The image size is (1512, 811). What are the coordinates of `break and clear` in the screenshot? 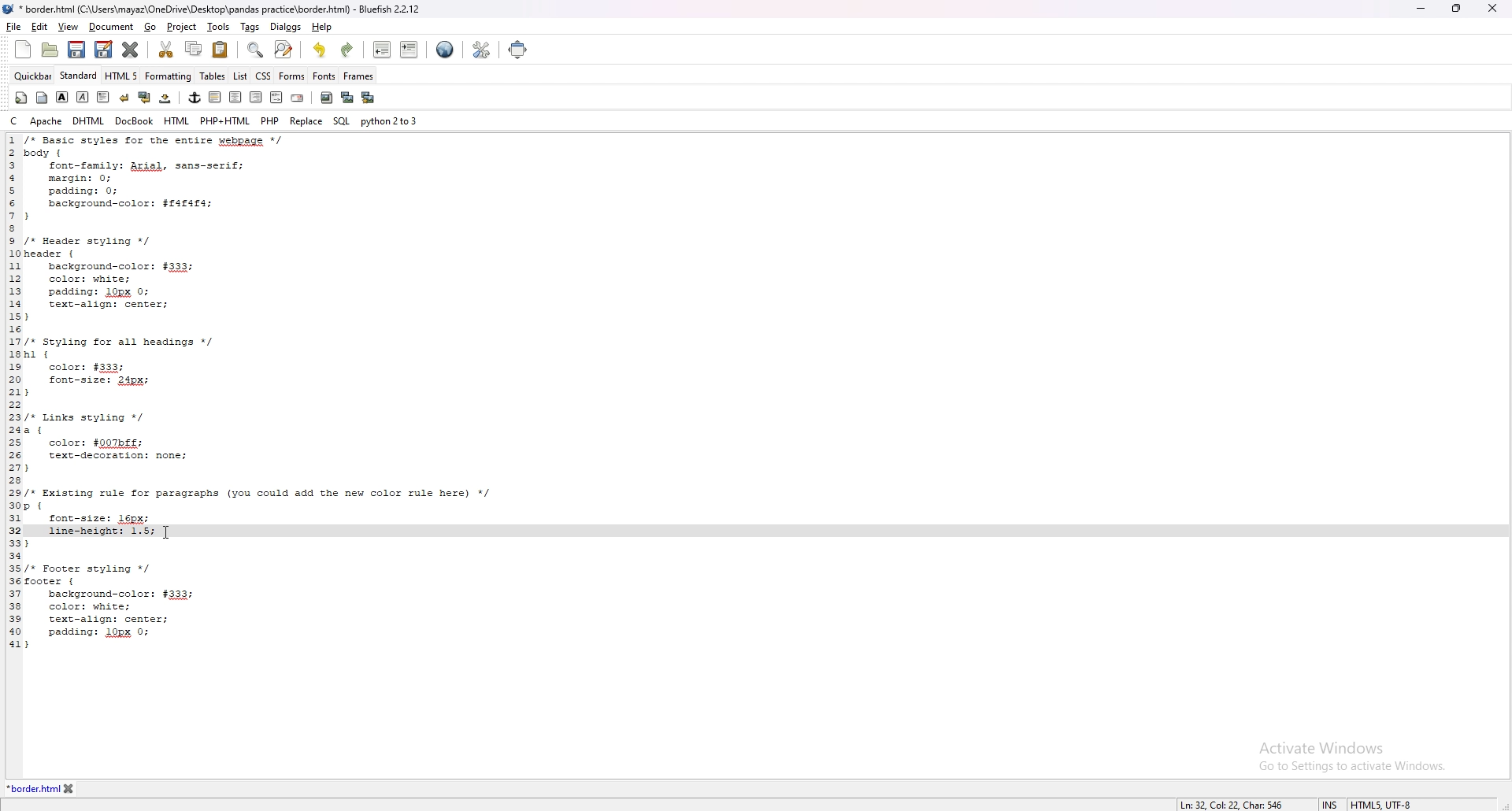 It's located at (145, 97).